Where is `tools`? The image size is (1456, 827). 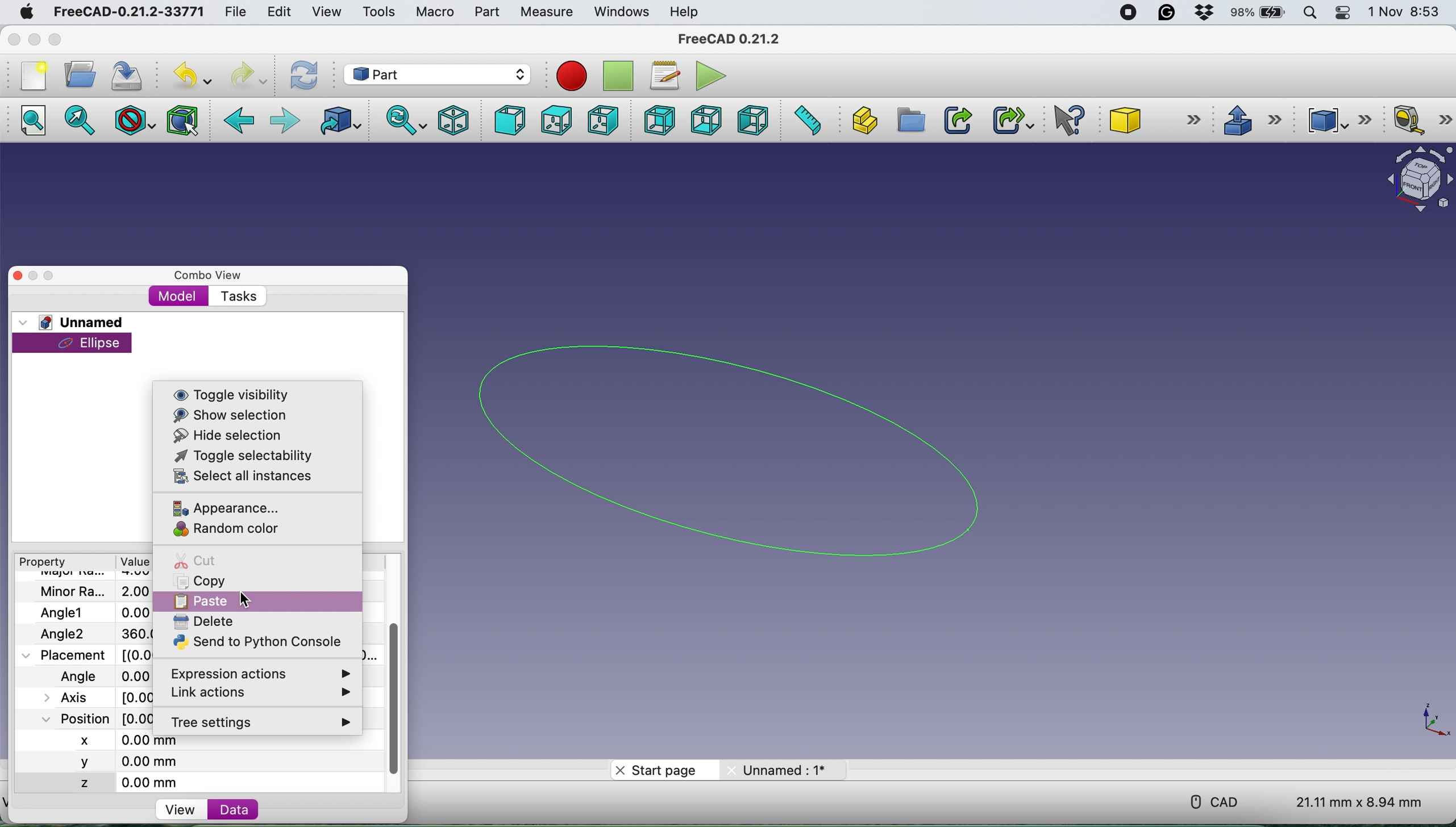
tools is located at coordinates (379, 12).